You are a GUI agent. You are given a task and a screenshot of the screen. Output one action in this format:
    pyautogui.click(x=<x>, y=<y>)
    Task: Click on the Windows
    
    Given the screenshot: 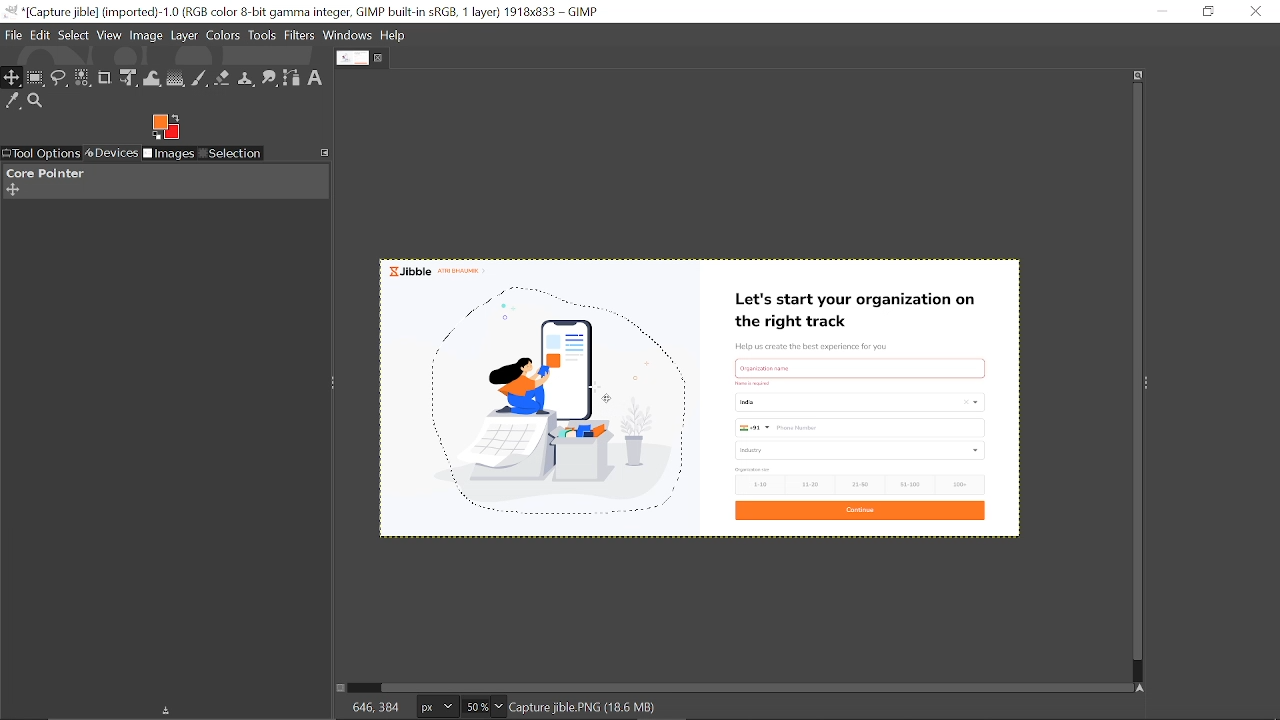 What is the action you would take?
    pyautogui.click(x=347, y=35)
    